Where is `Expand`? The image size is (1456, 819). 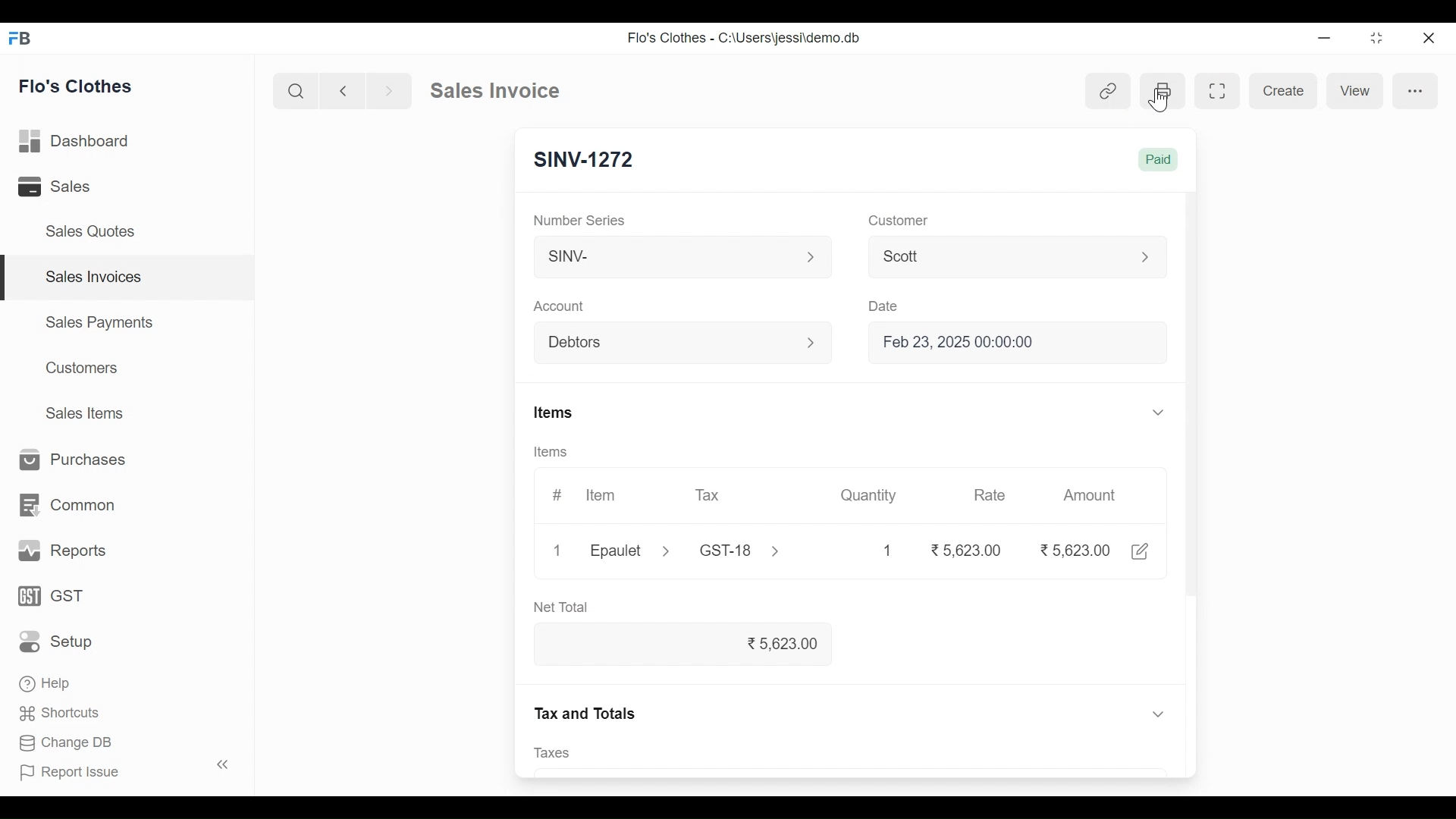 Expand is located at coordinates (1157, 714).